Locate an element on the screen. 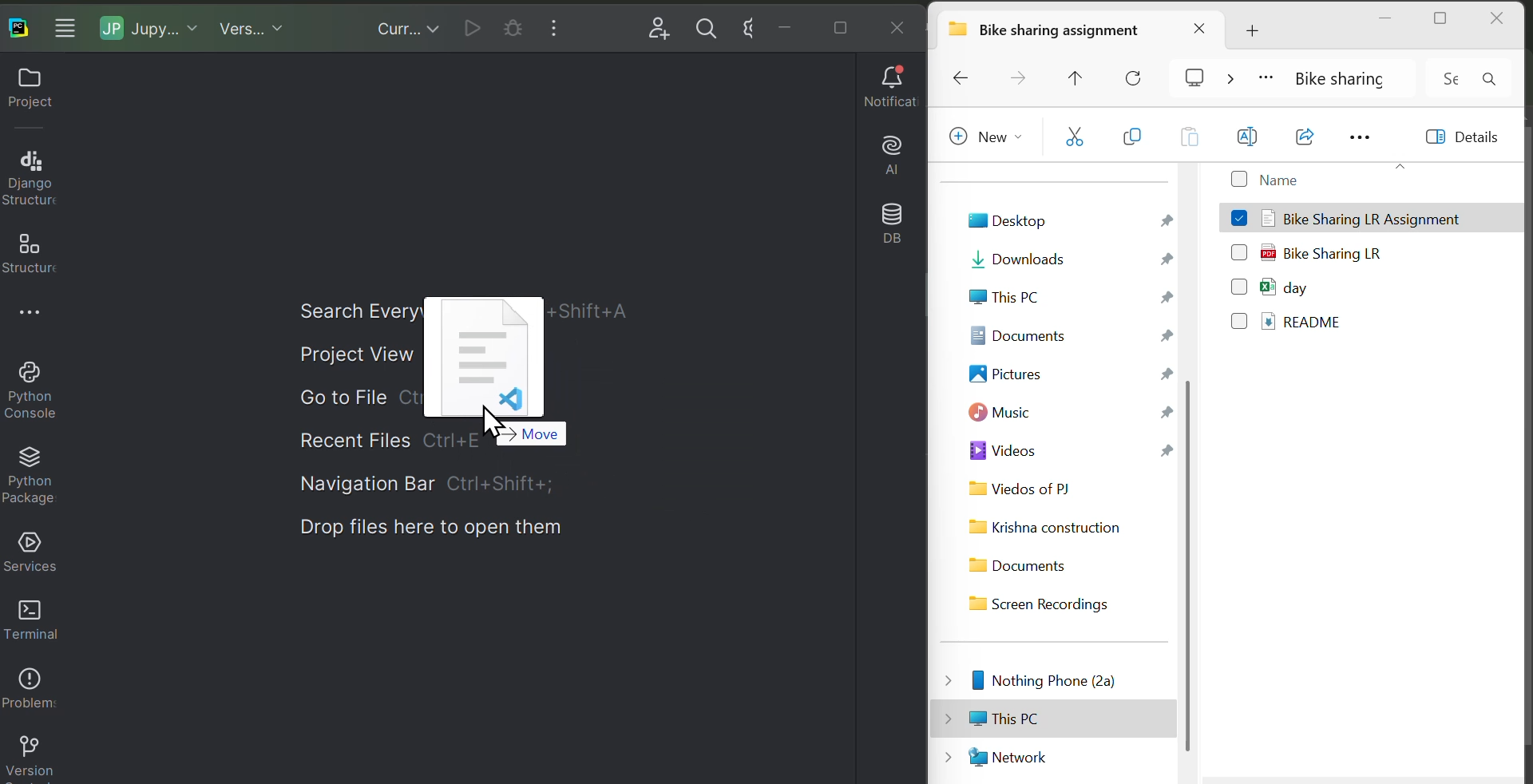 Image resolution: width=1533 pixels, height=784 pixels. Structure is located at coordinates (34, 256).